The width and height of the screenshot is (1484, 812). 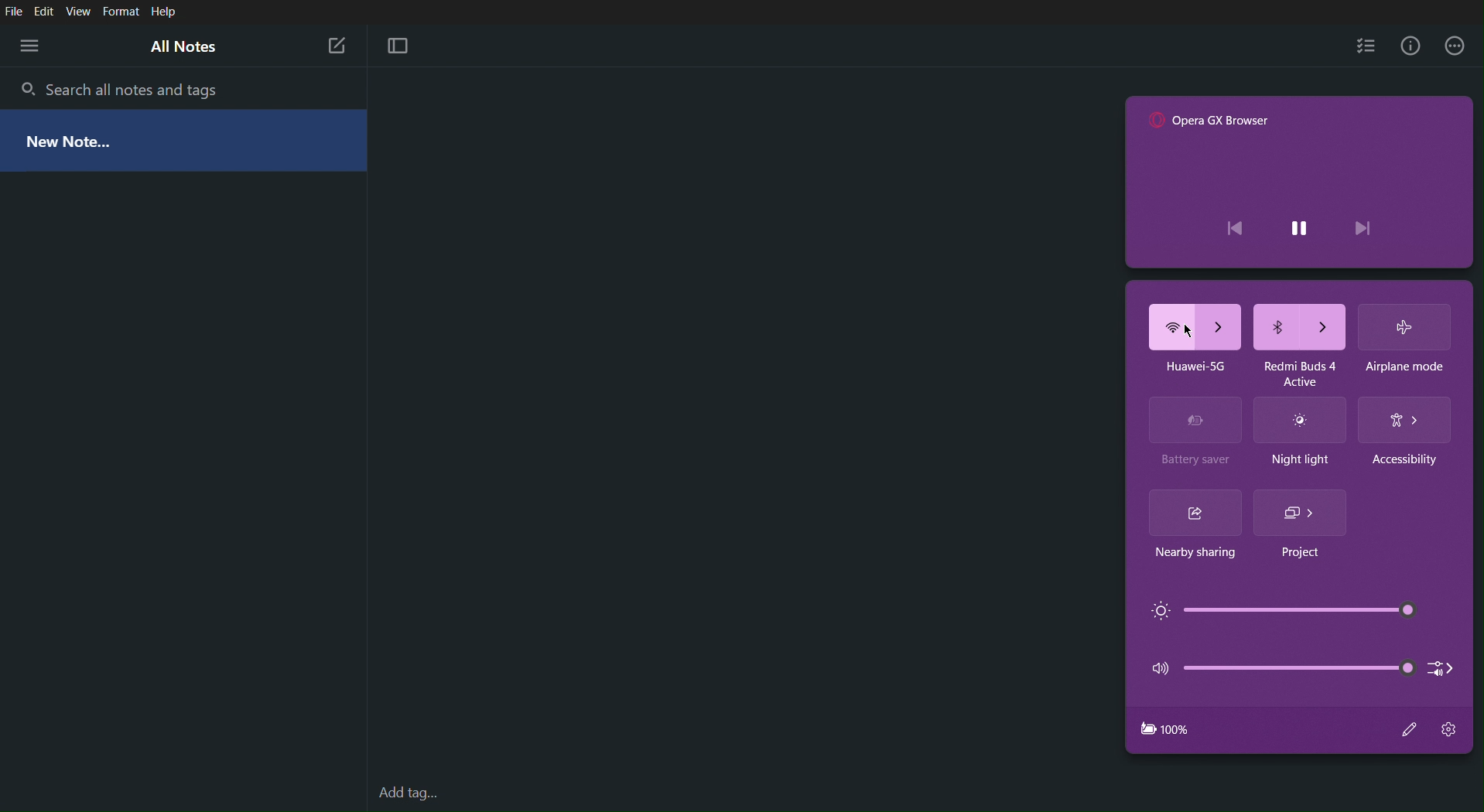 I want to click on Battery Saver, so click(x=1197, y=421).